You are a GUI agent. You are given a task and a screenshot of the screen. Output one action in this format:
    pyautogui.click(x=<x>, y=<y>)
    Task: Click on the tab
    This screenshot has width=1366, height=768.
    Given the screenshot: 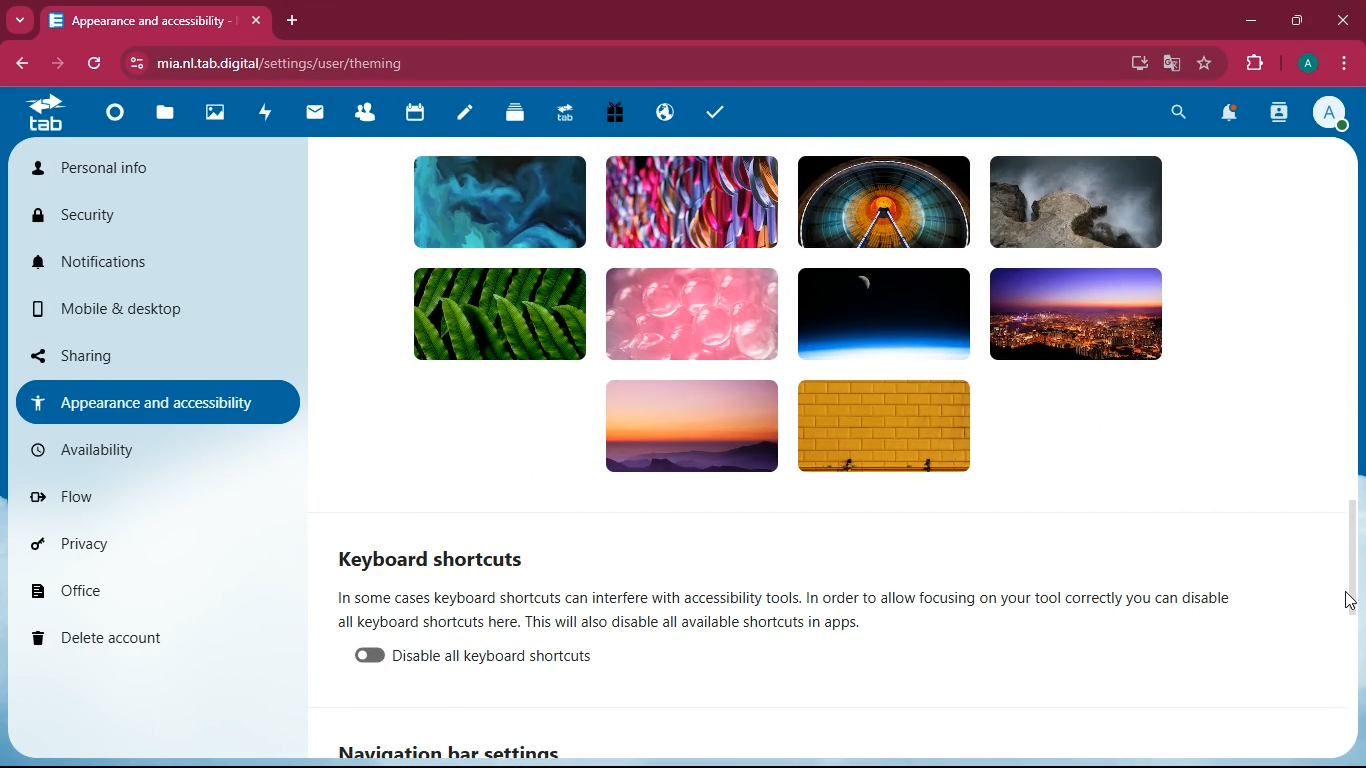 What is the action you would take?
    pyautogui.click(x=46, y=112)
    